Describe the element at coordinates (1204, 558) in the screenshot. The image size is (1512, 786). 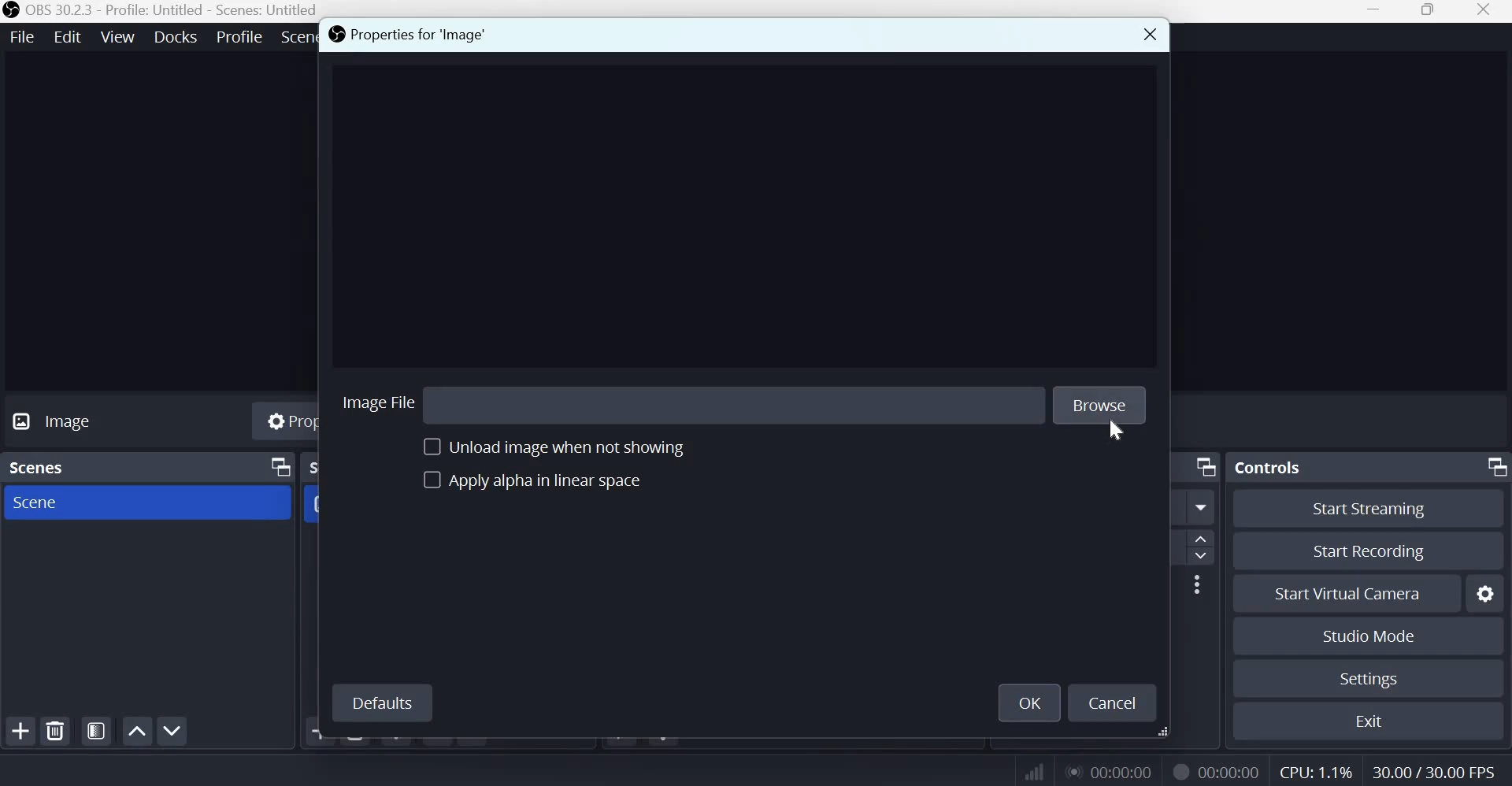
I see `Decrease` at that location.